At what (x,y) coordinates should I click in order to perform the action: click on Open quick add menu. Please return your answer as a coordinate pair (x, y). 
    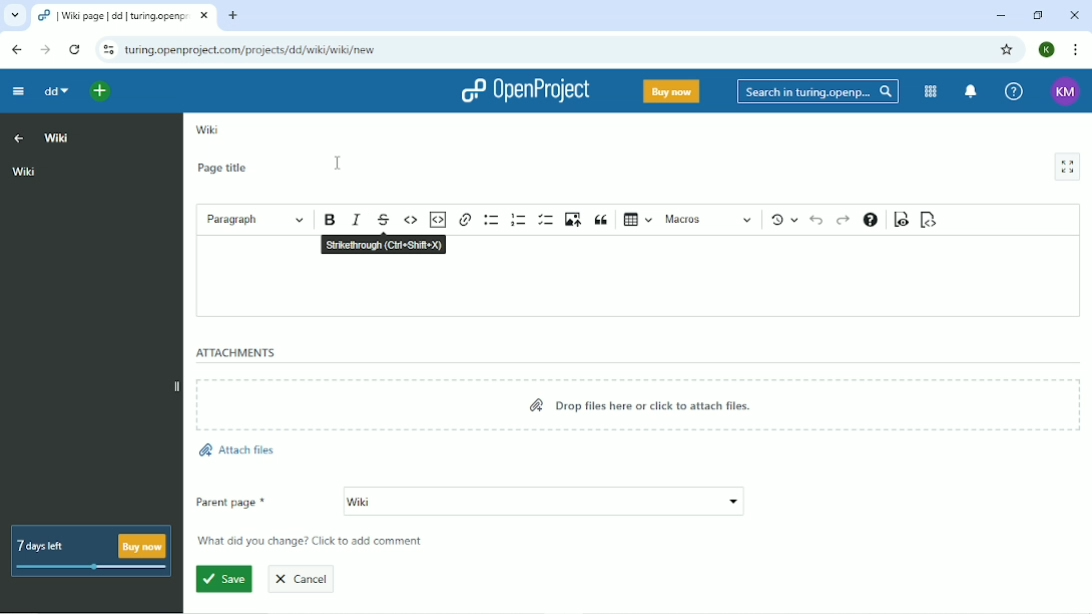
    Looking at the image, I should click on (101, 93).